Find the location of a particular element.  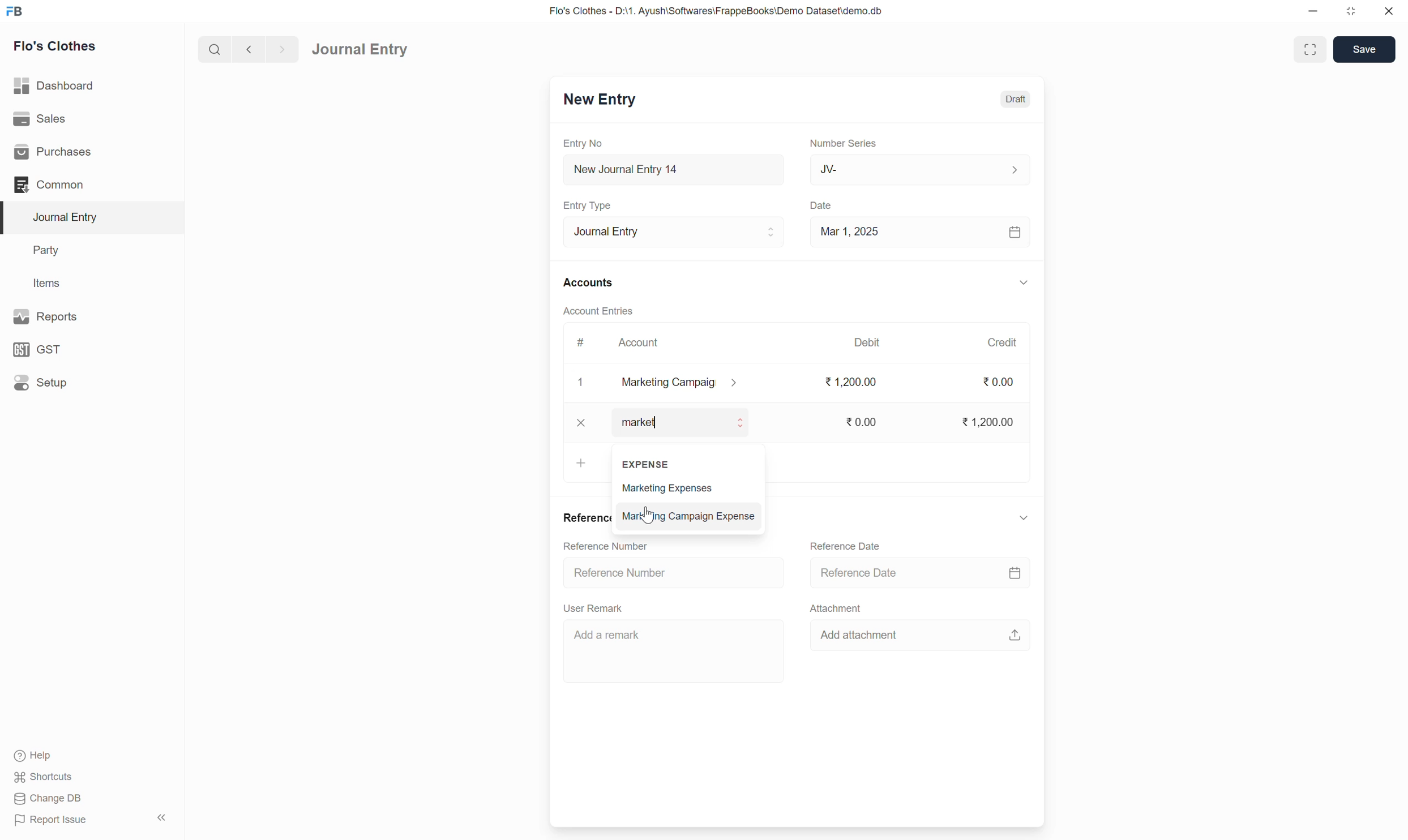

forward is located at coordinates (280, 50).